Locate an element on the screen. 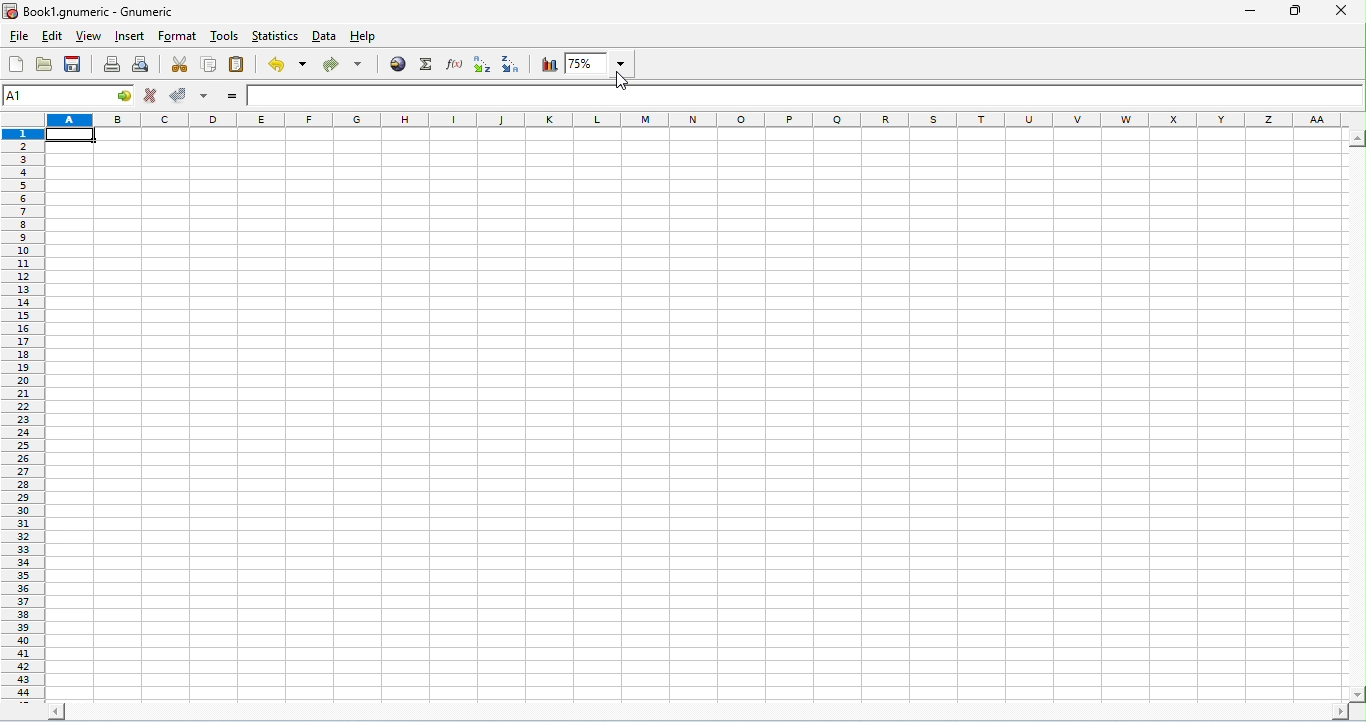 The width and height of the screenshot is (1366, 722). format is located at coordinates (177, 37).